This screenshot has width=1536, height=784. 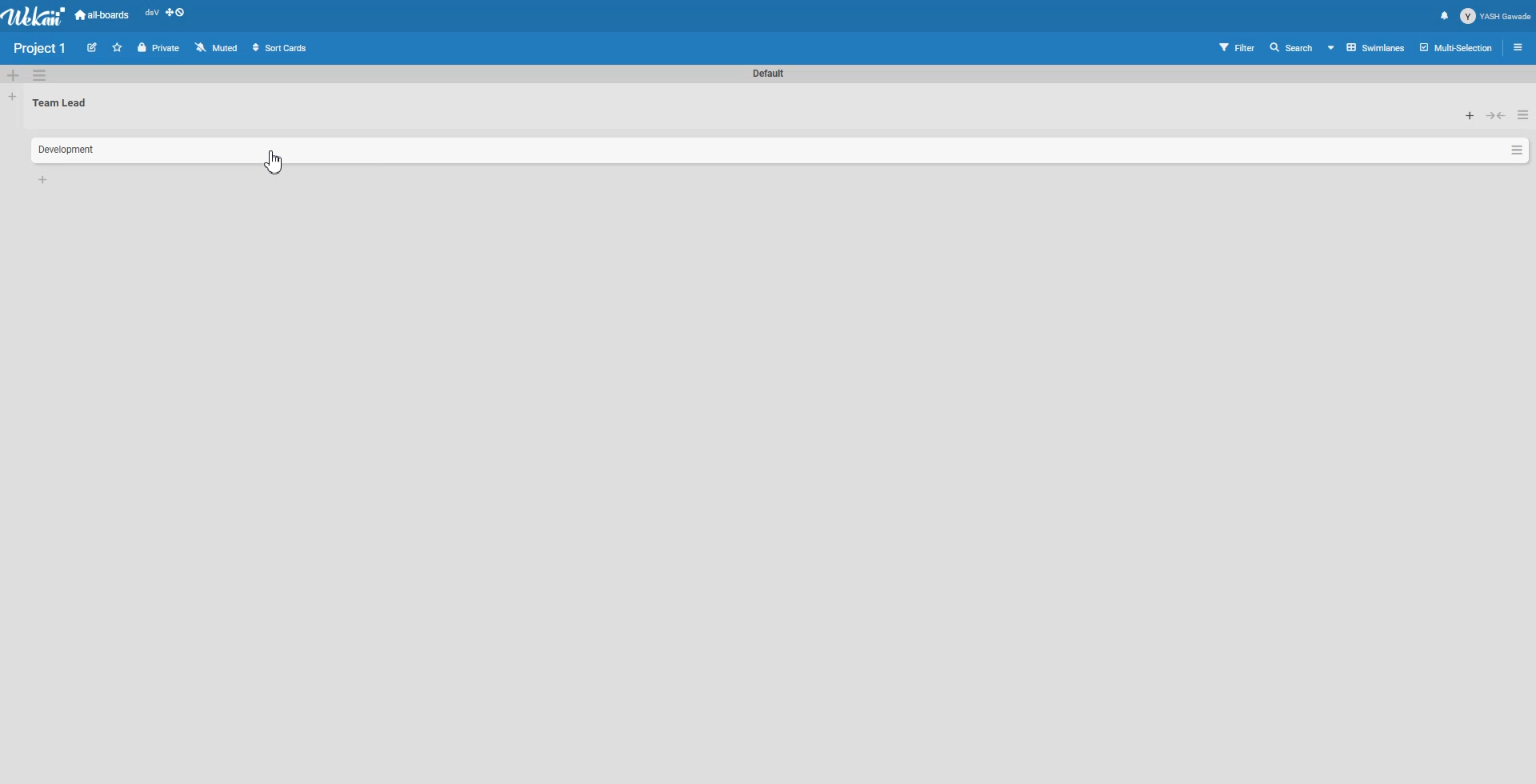 I want to click on Multi section, so click(x=1458, y=47).